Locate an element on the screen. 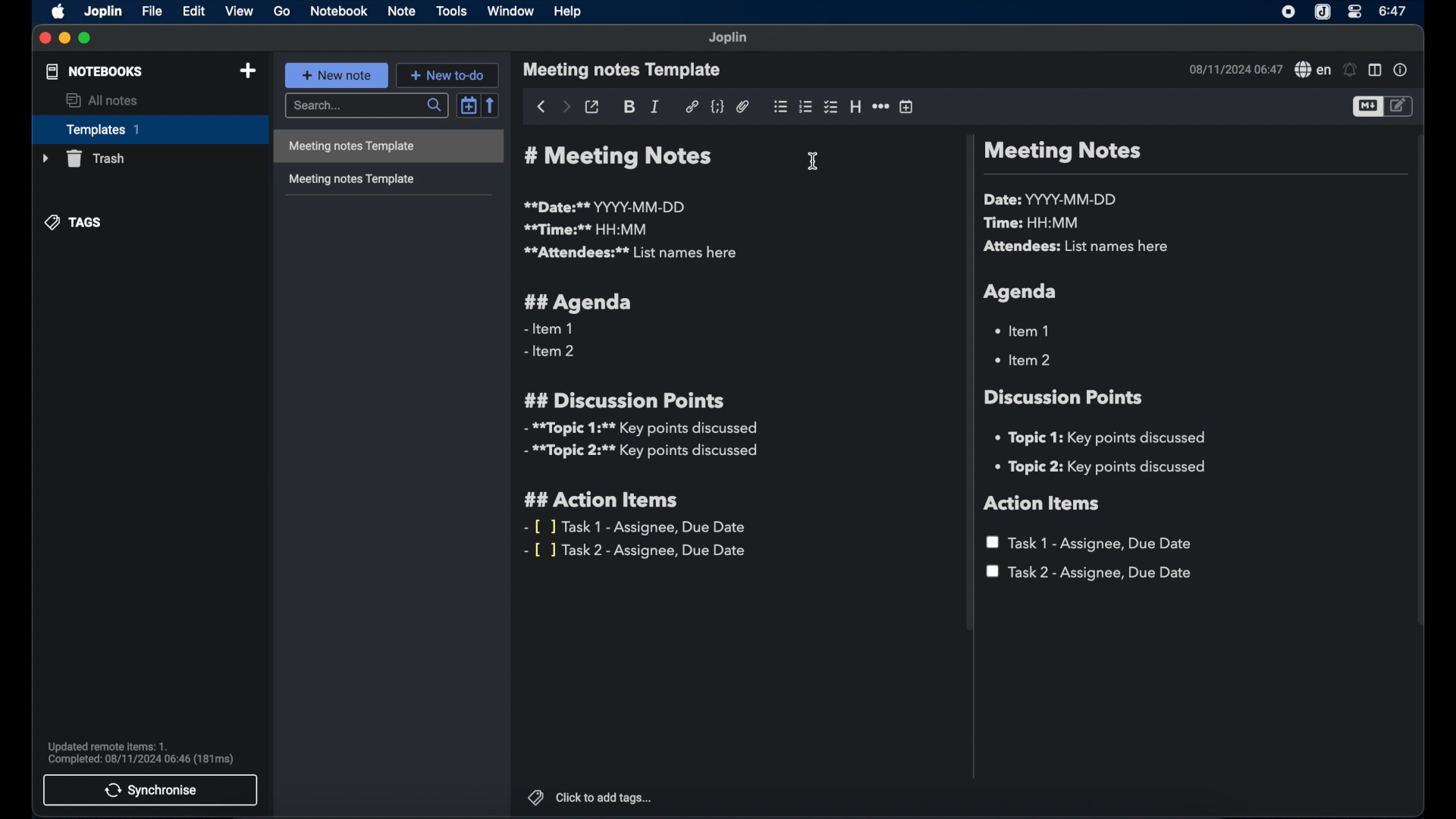  view is located at coordinates (240, 11).